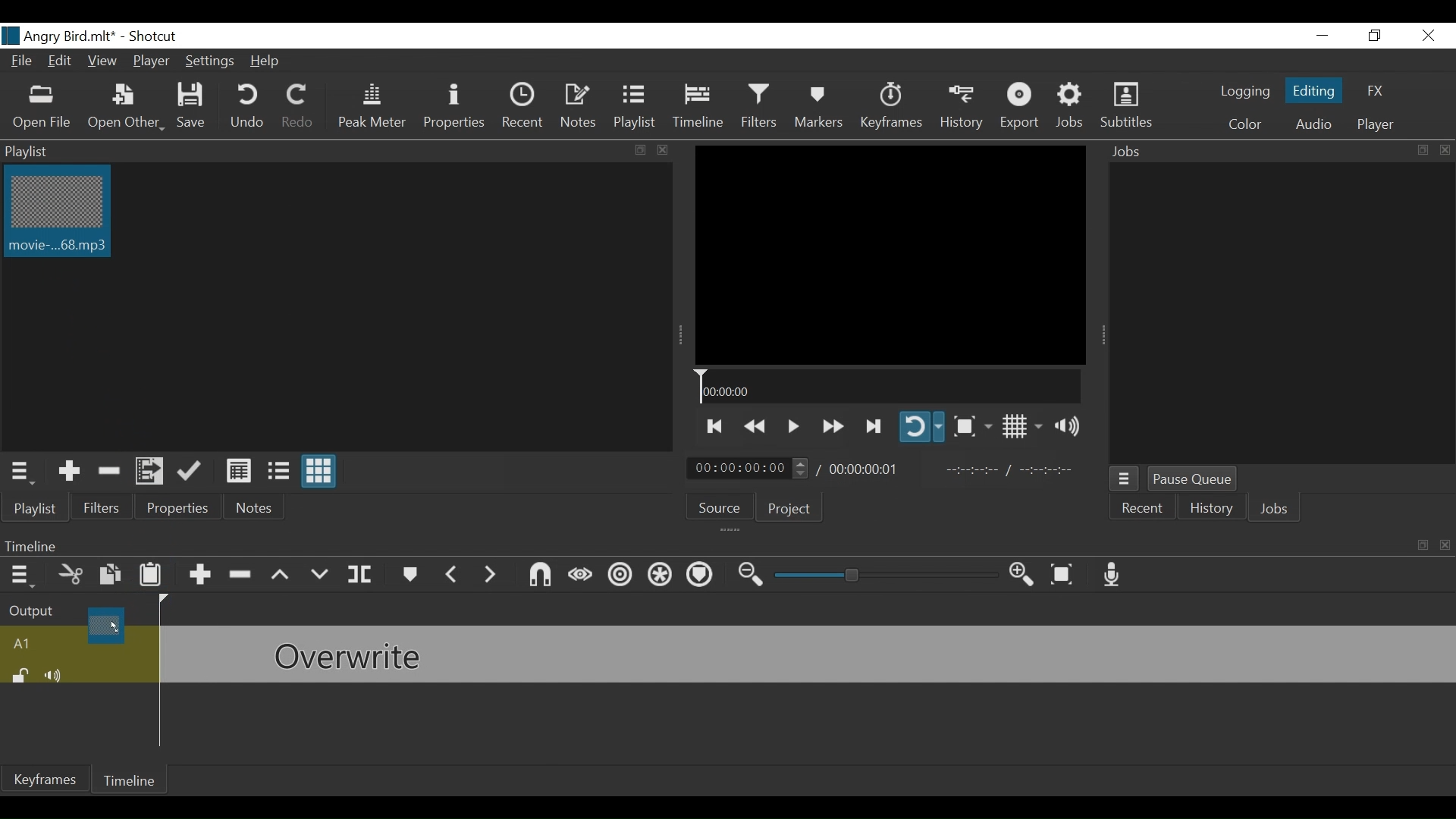 The height and width of the screenshot is (819, 1456). I want to click on Play quickly backward, so click(754, 424).